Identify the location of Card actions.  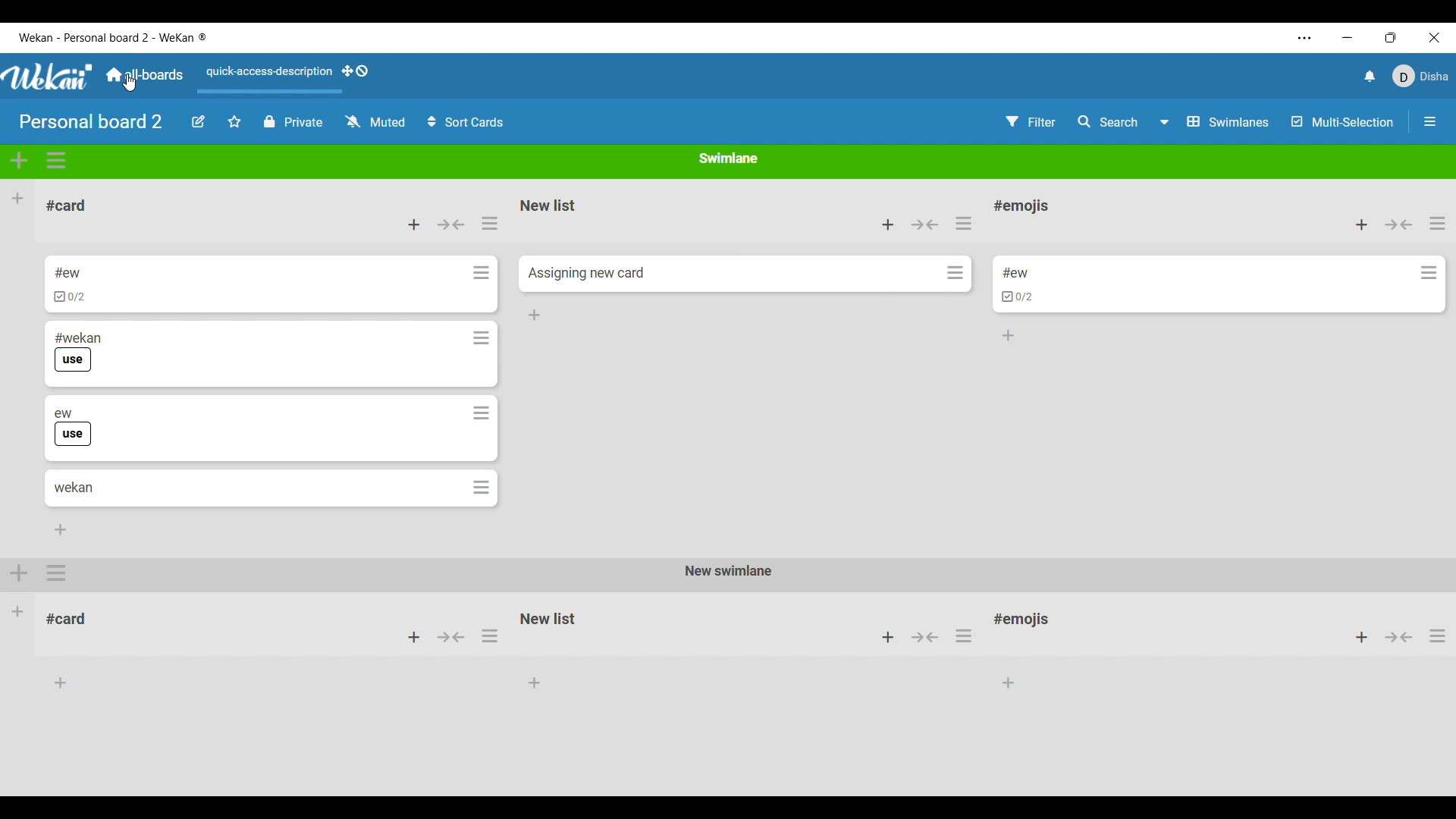
(482, 487).